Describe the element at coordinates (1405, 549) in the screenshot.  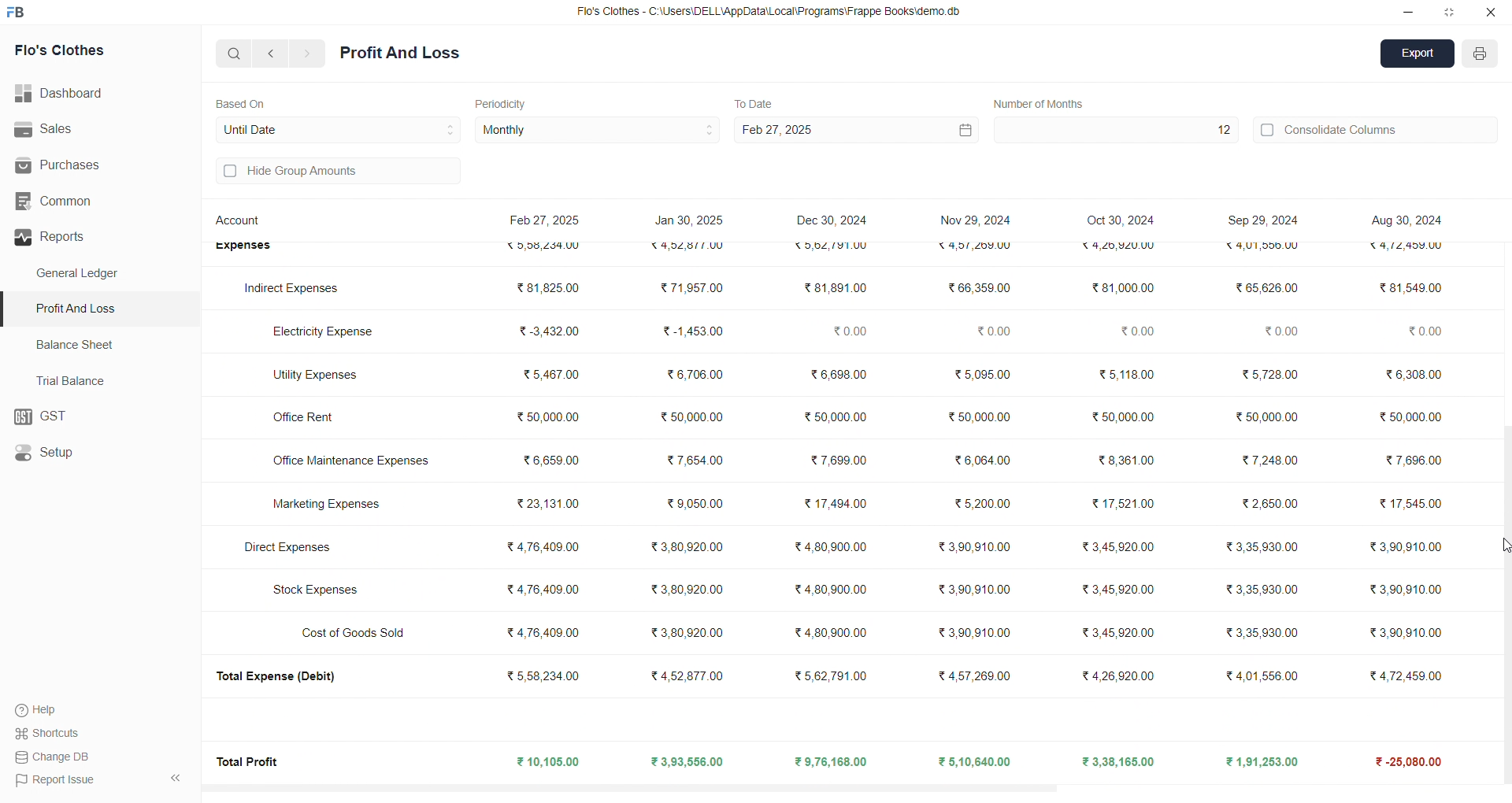
I see `₹3,90,910.00` at that location.